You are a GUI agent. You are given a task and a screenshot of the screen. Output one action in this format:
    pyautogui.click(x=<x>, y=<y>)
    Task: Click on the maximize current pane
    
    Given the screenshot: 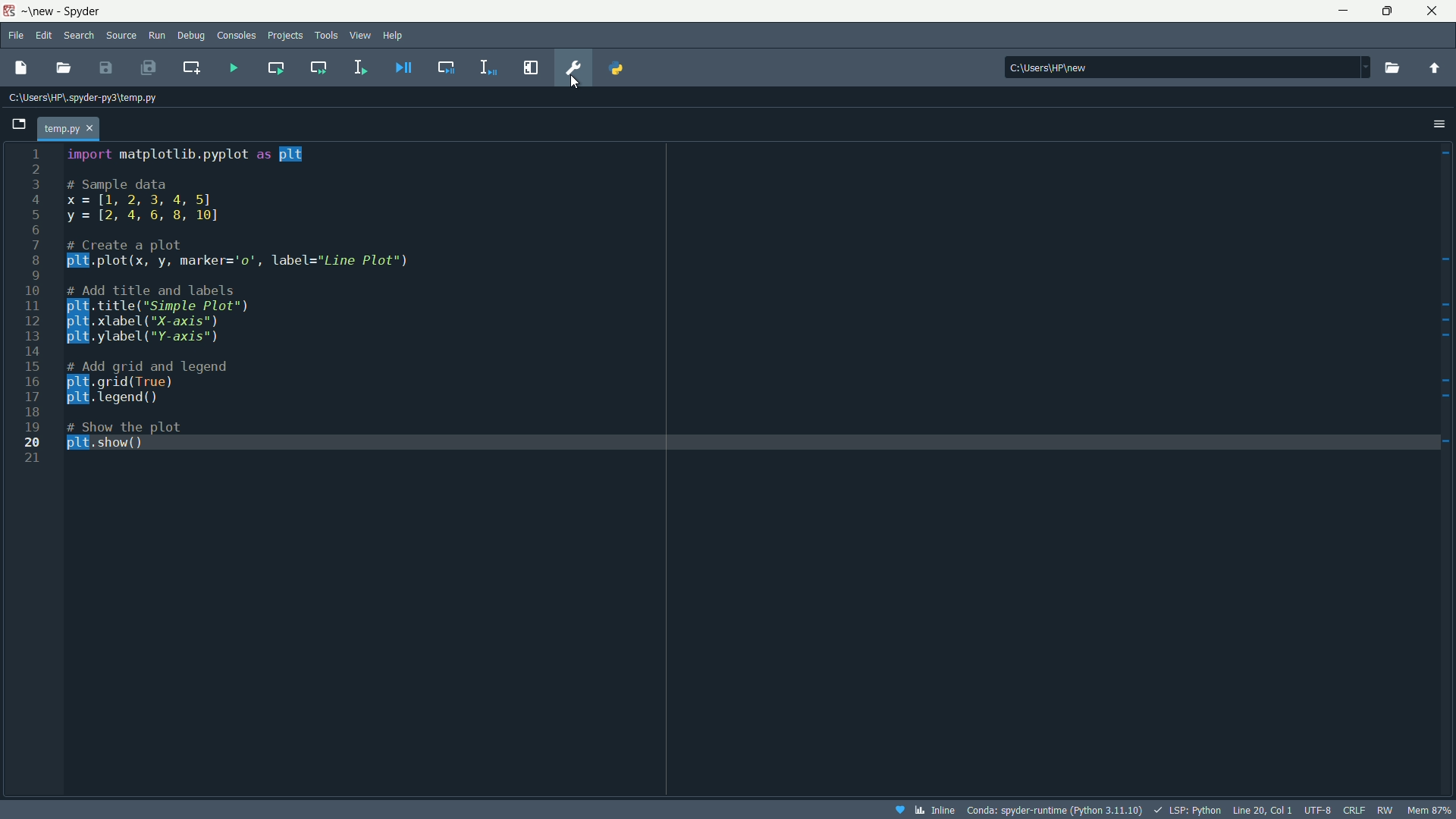 What is the action you would take?
    pyautogui.click(x=532, y=67)
    